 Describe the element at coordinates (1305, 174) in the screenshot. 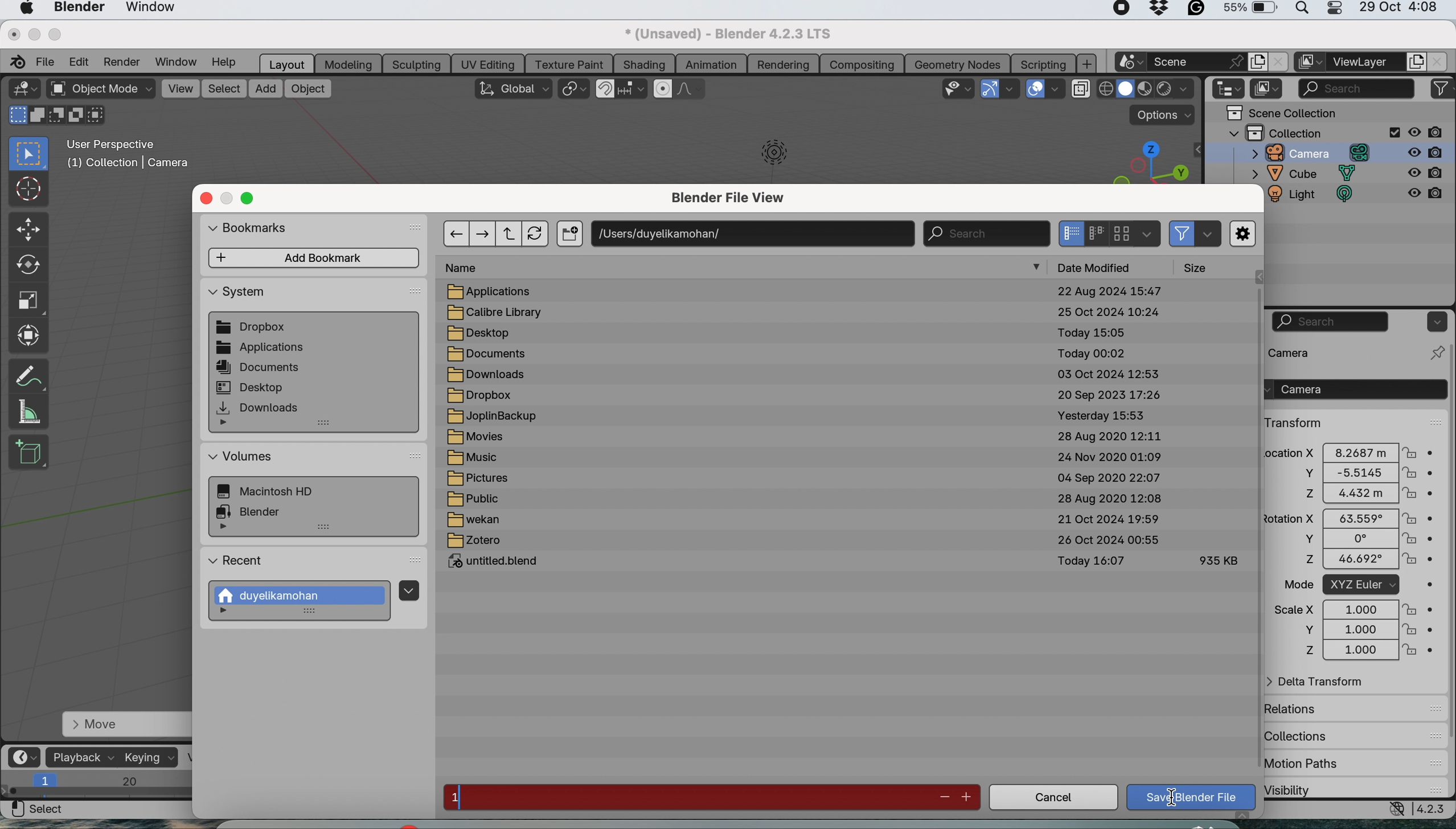

I see `cube` at that location.